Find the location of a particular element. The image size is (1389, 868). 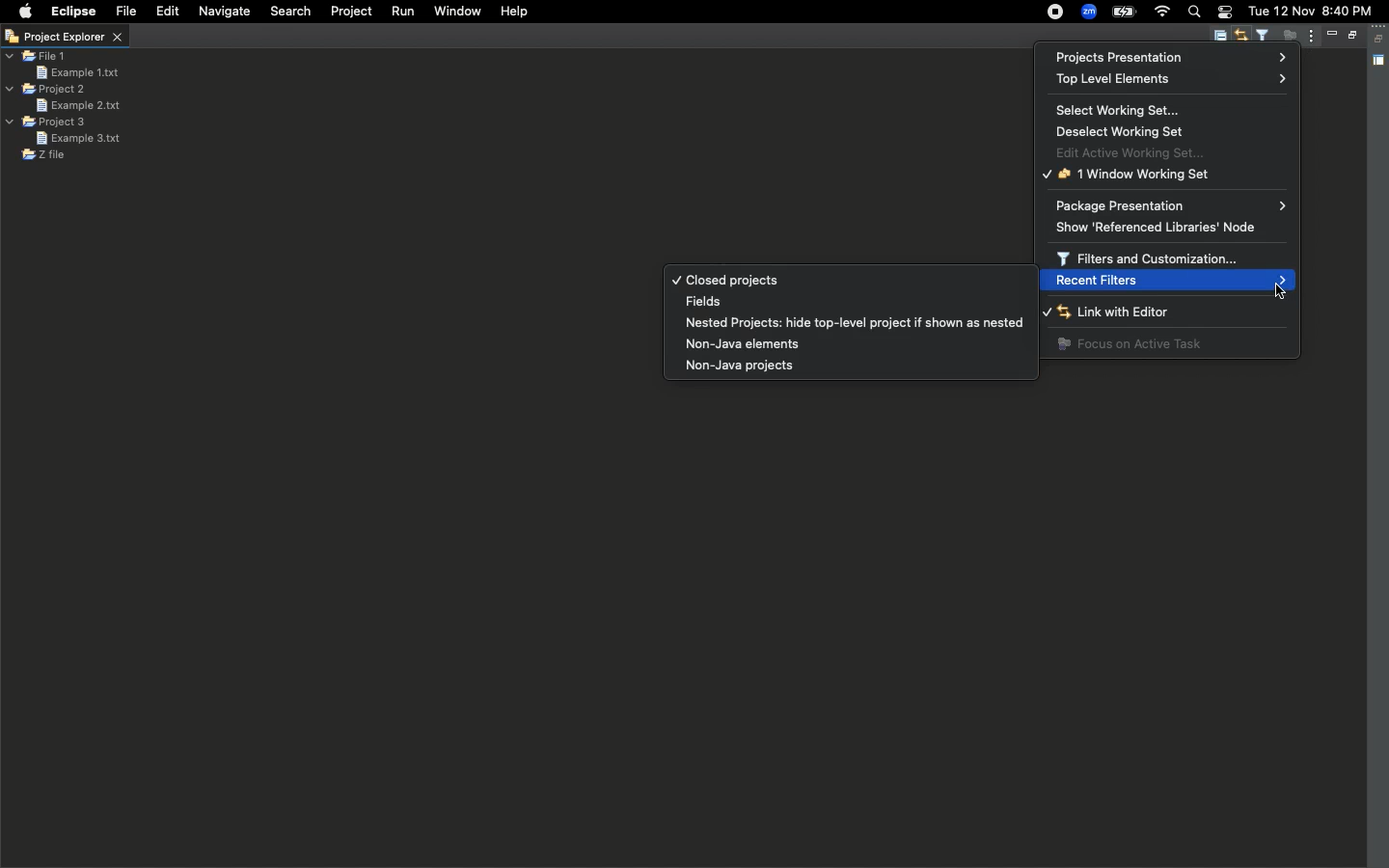

Window is located at coordinates (456, 14).